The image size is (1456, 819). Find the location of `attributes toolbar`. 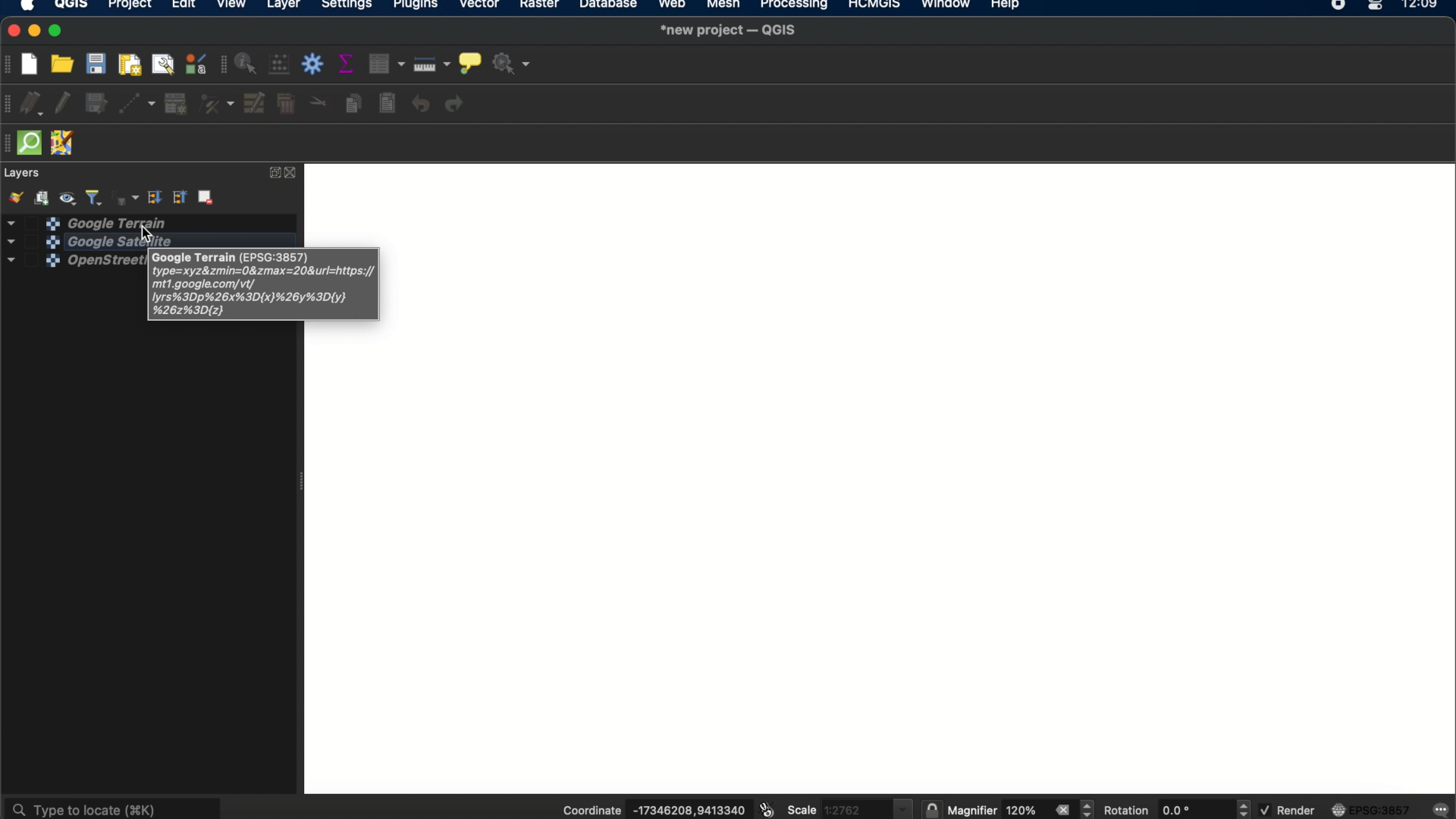

attributes toolbar is located at coordinates (221, 65).